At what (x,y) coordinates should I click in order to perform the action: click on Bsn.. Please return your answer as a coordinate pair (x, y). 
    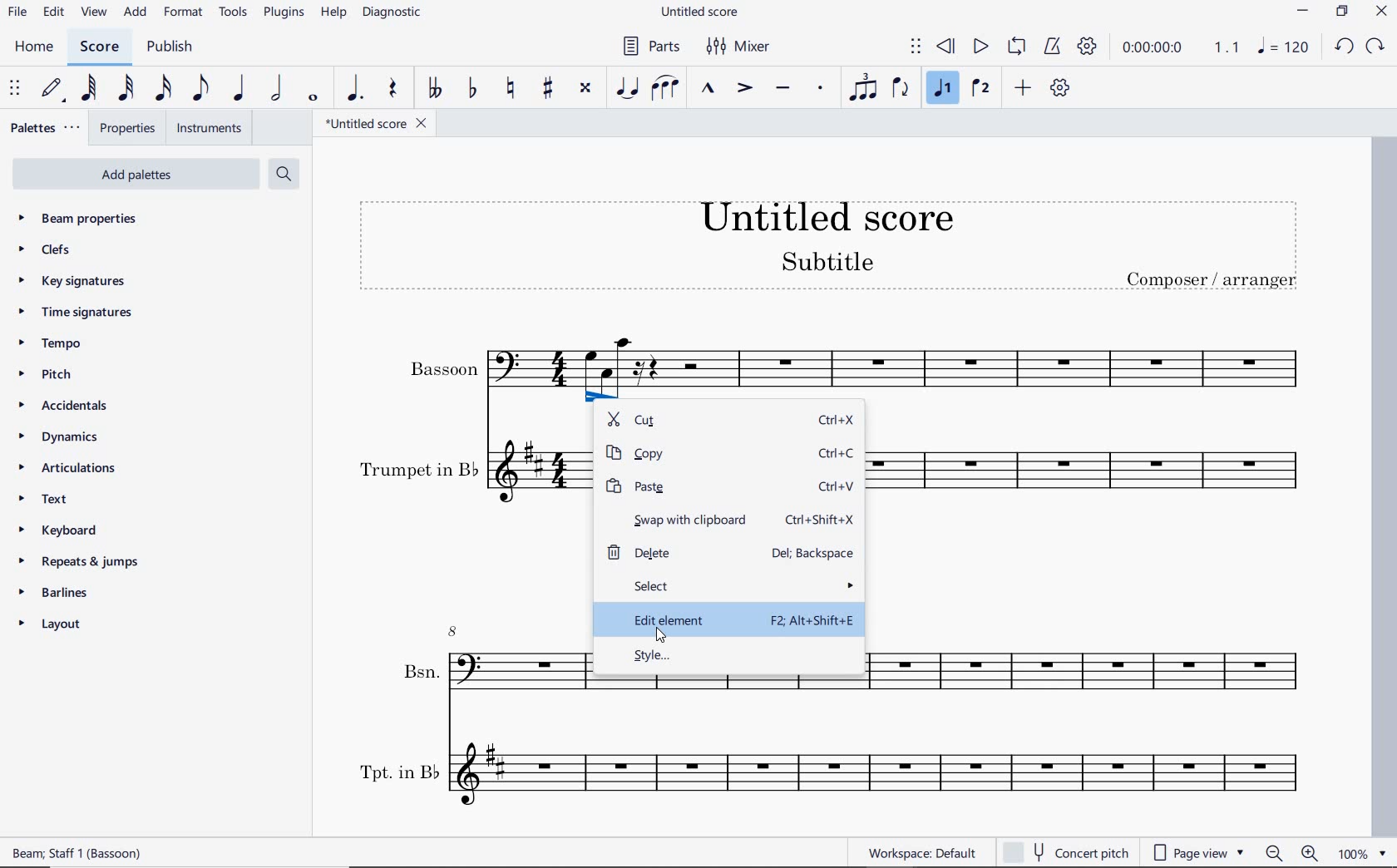
    Looking at the image, I should click on (733, 700).